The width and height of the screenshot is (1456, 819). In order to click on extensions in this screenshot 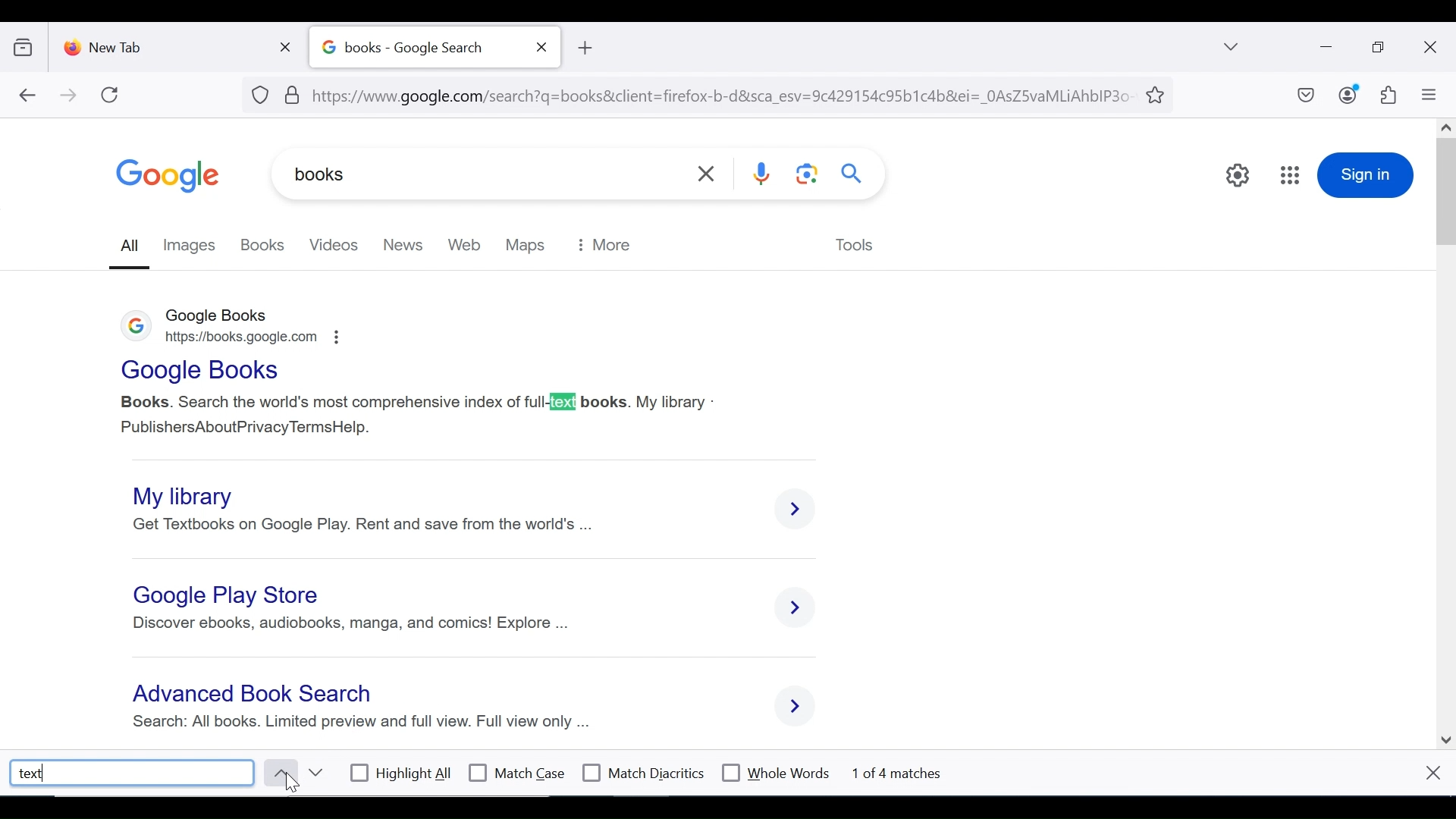, I will do `click(1387, 96)`.